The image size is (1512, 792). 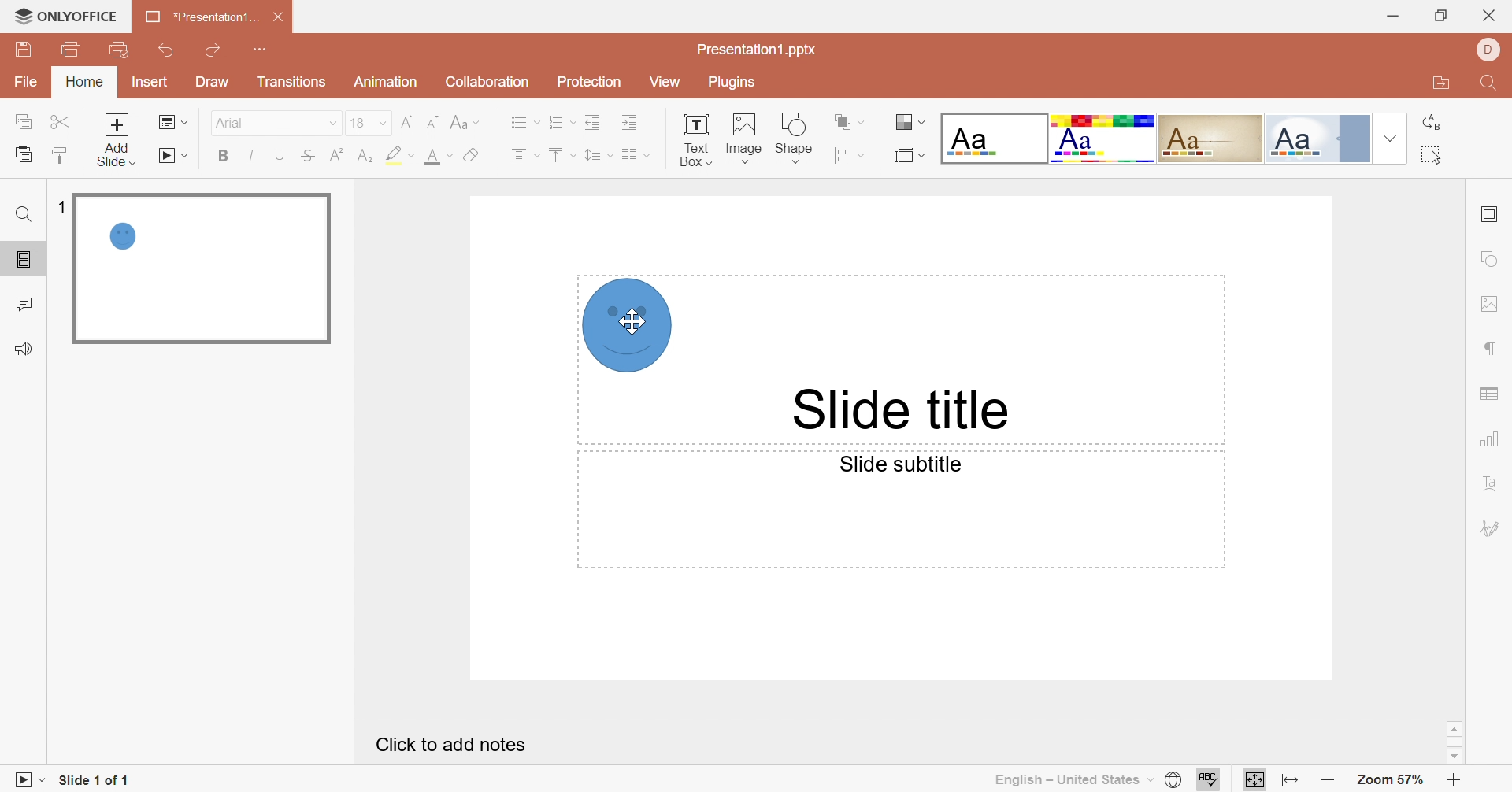 I want to click on Strikethrough, so click(x=306, y=156).